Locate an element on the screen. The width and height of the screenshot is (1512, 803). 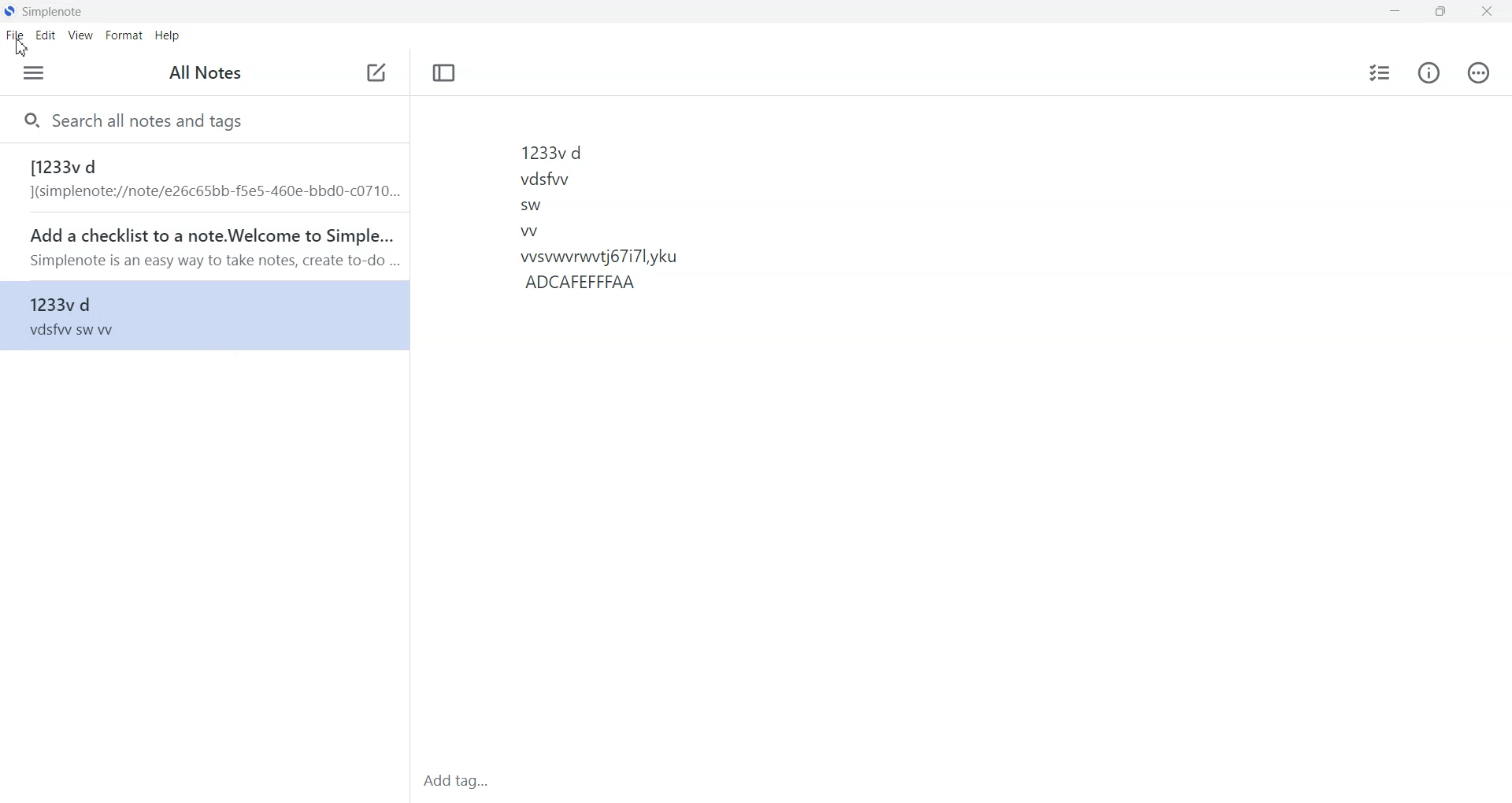
Menu is located at coordinates (34, 73).